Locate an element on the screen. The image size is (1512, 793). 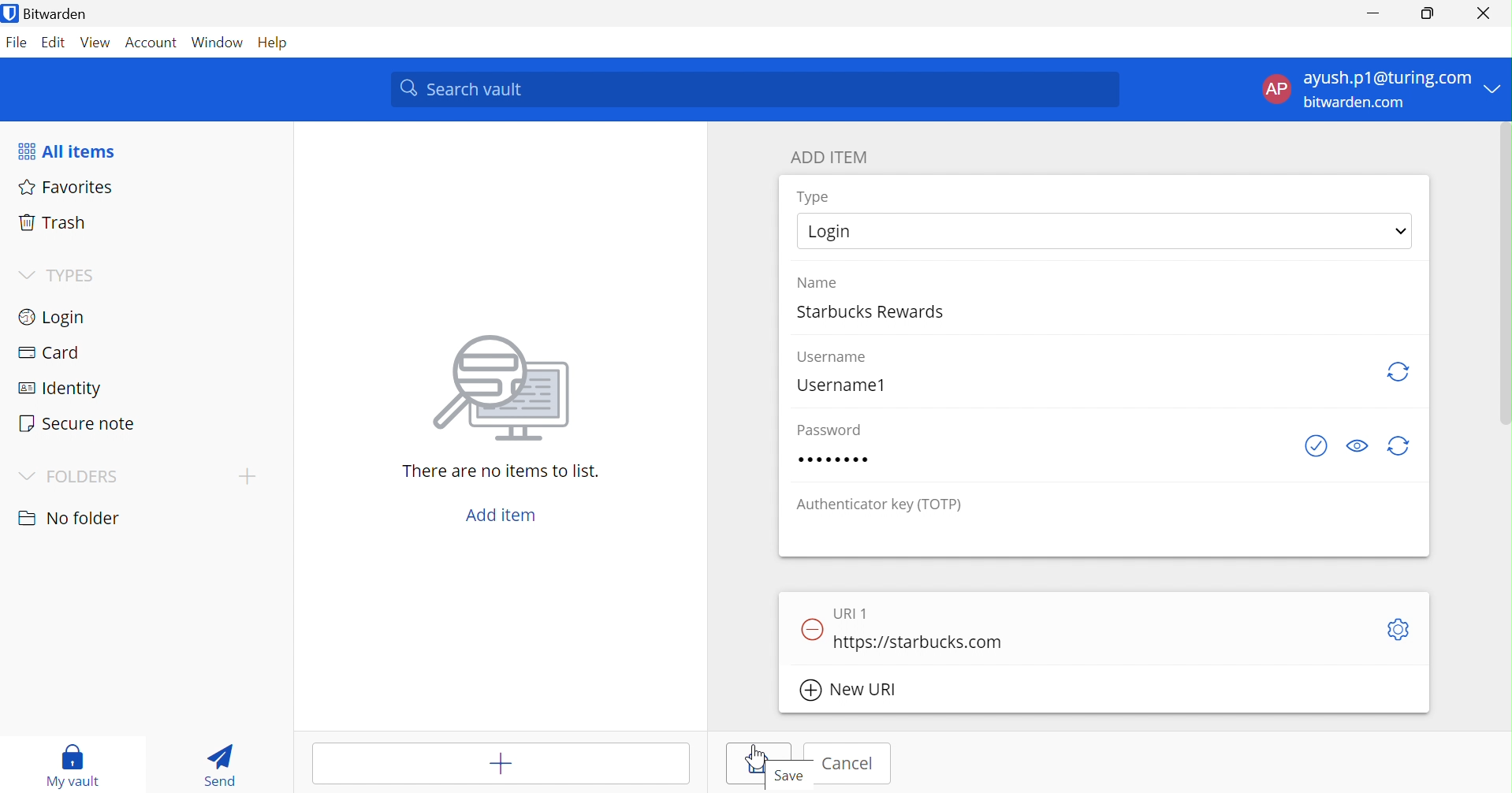
Username1 is located at coordinates (843, 384).